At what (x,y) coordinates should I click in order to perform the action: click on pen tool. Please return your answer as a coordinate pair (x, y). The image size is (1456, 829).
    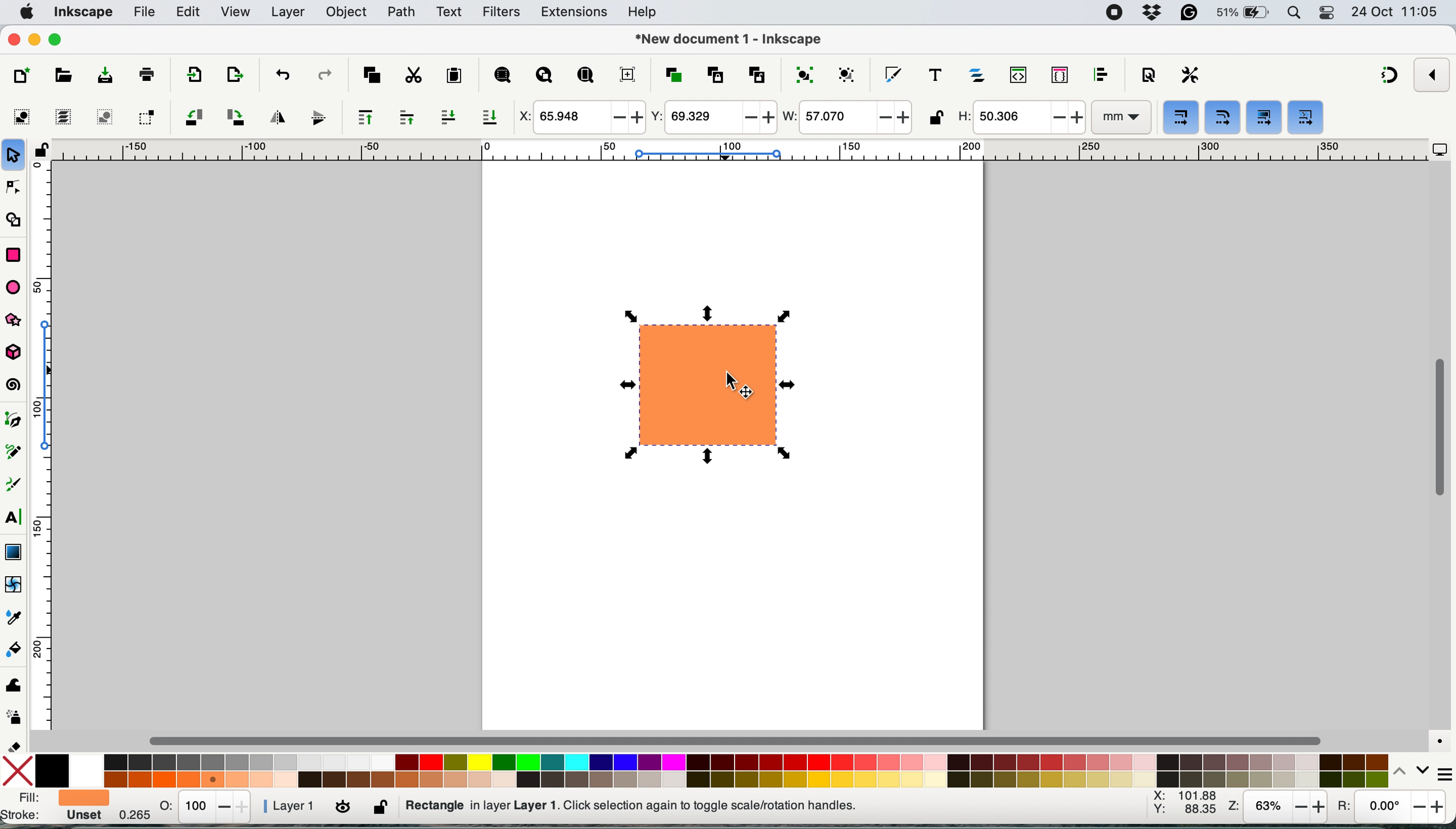
    Looking at the image, I should click on (16, 420).